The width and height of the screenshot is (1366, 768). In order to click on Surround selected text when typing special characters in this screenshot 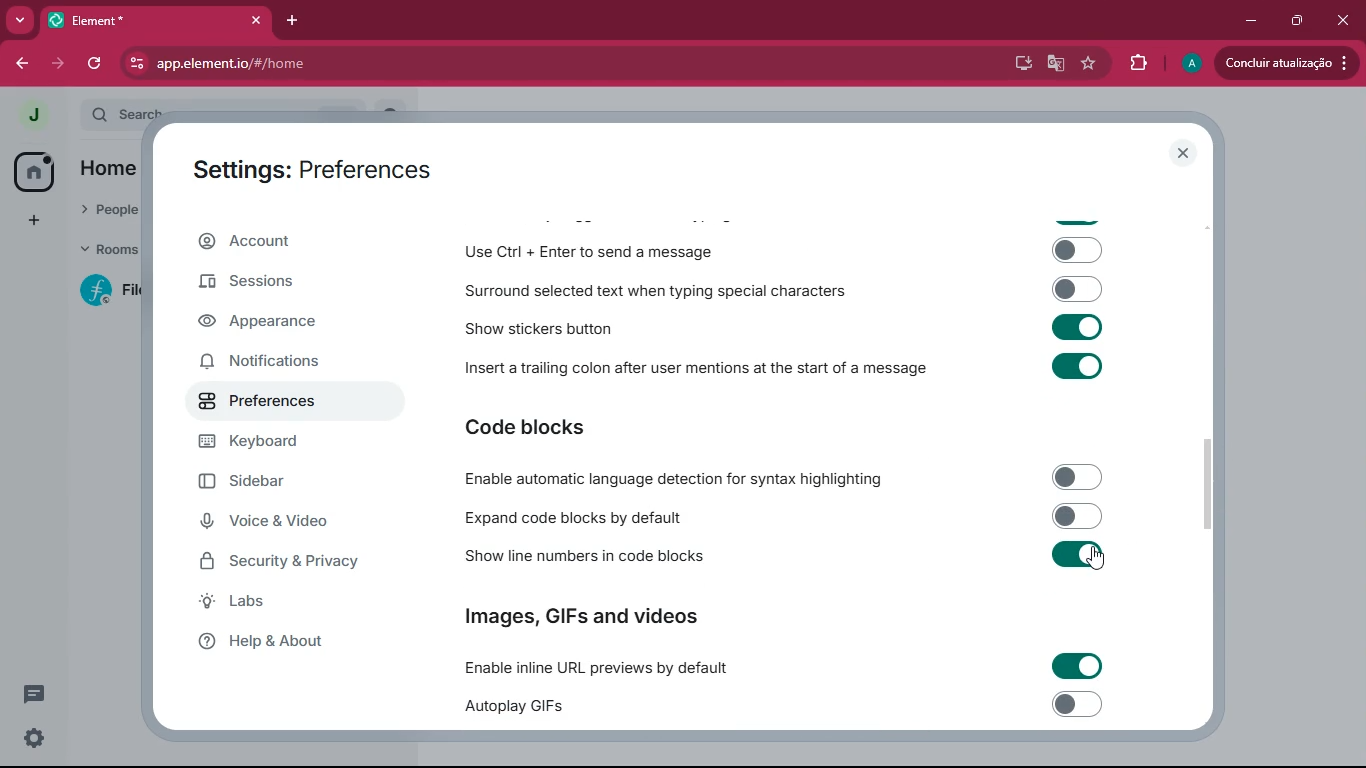, I will do `click(780, 290)`.